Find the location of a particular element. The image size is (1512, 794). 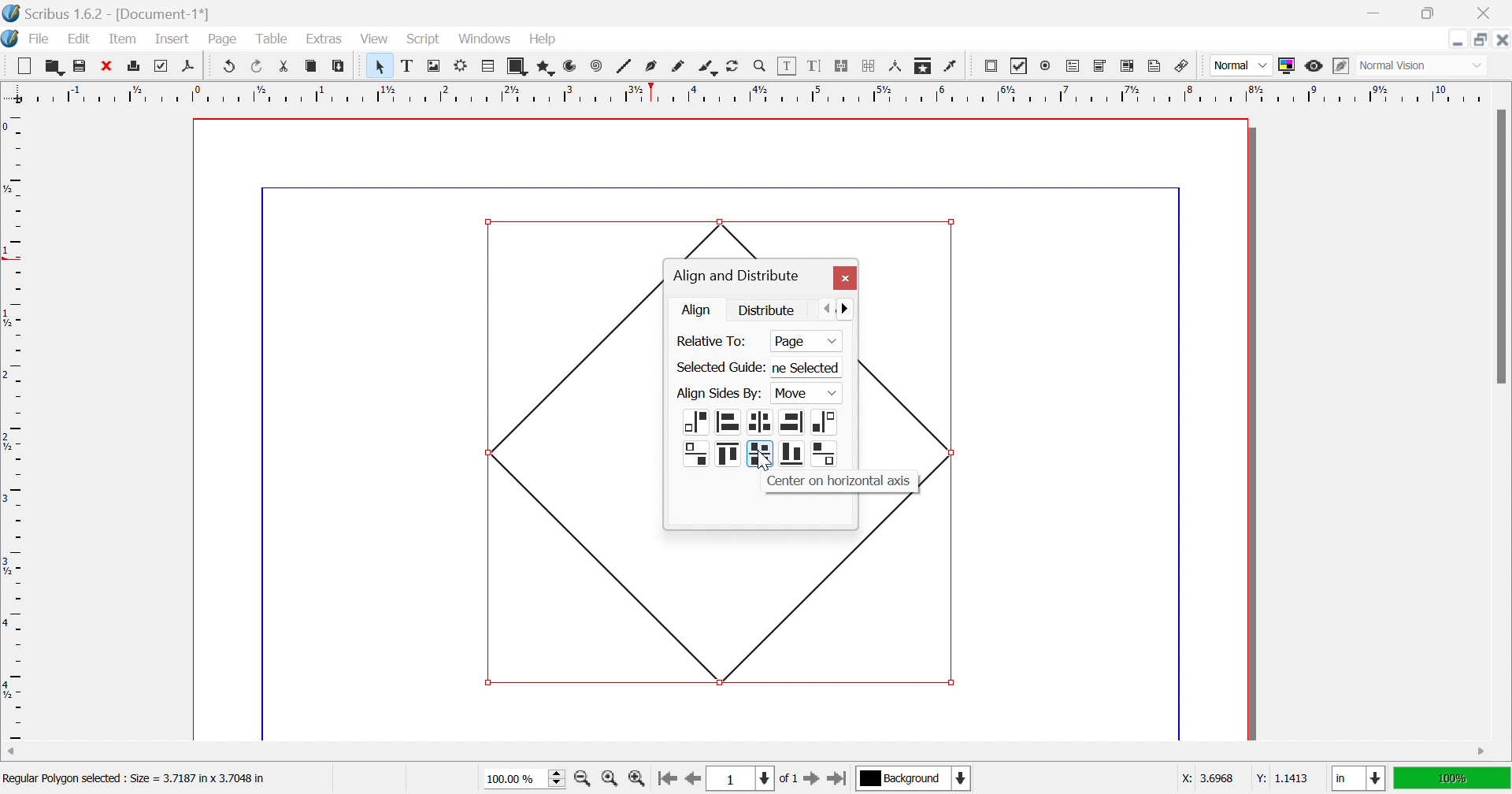

1 is located at coordinates (738, 779).